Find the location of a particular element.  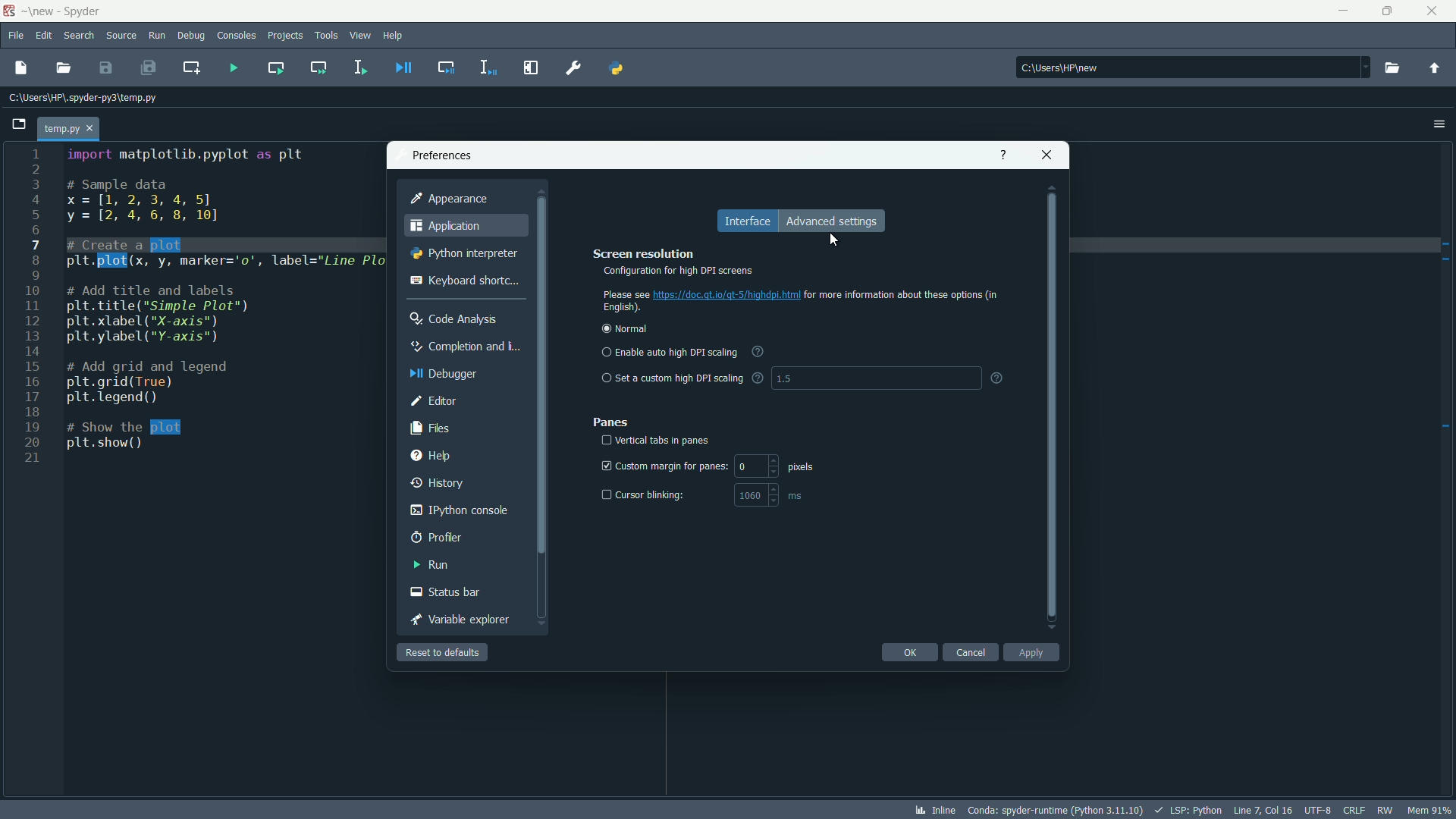

folder name is located at coordinates (42, 11).